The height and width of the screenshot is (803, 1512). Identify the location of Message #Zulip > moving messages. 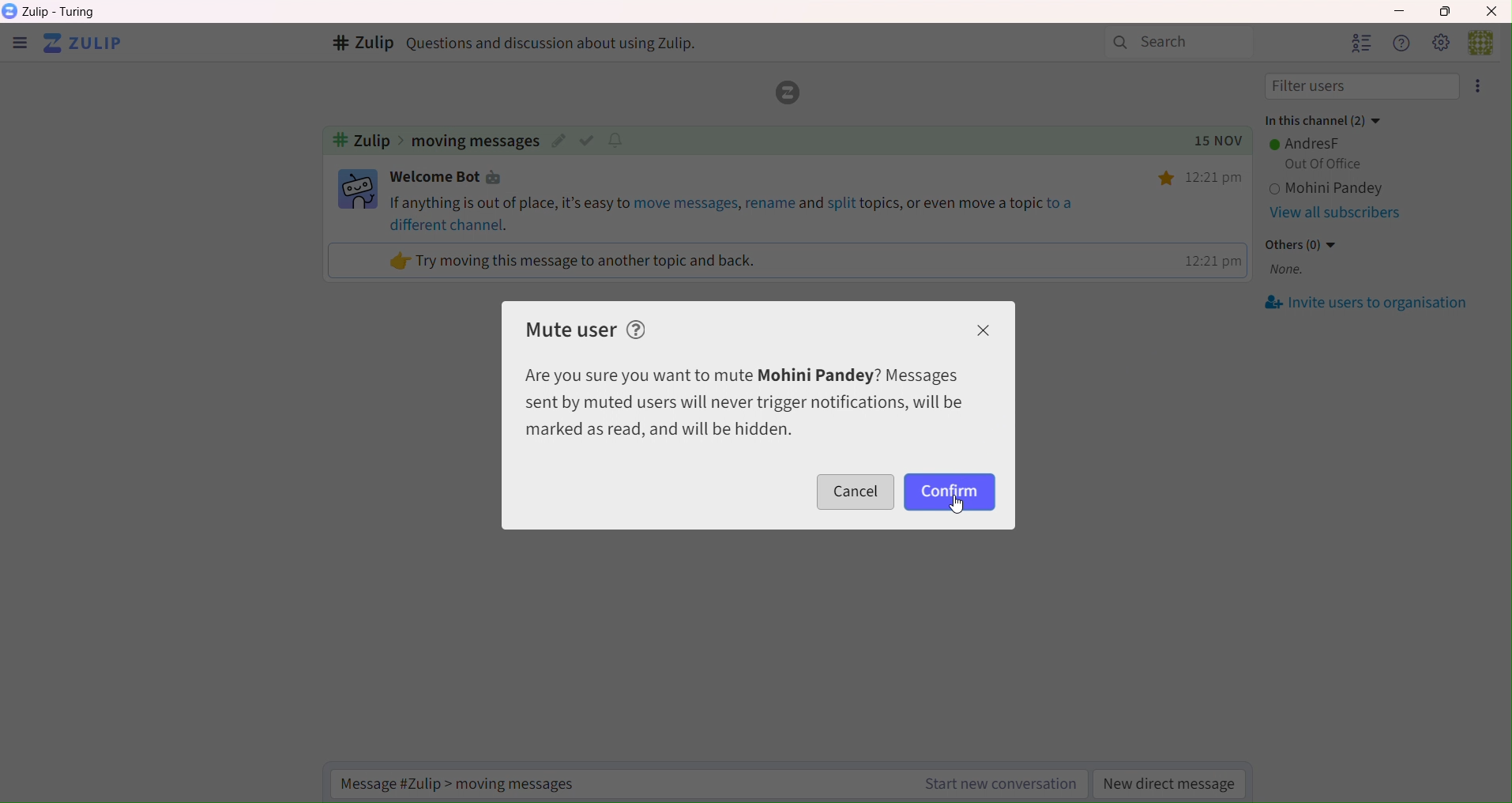
(469, 783).